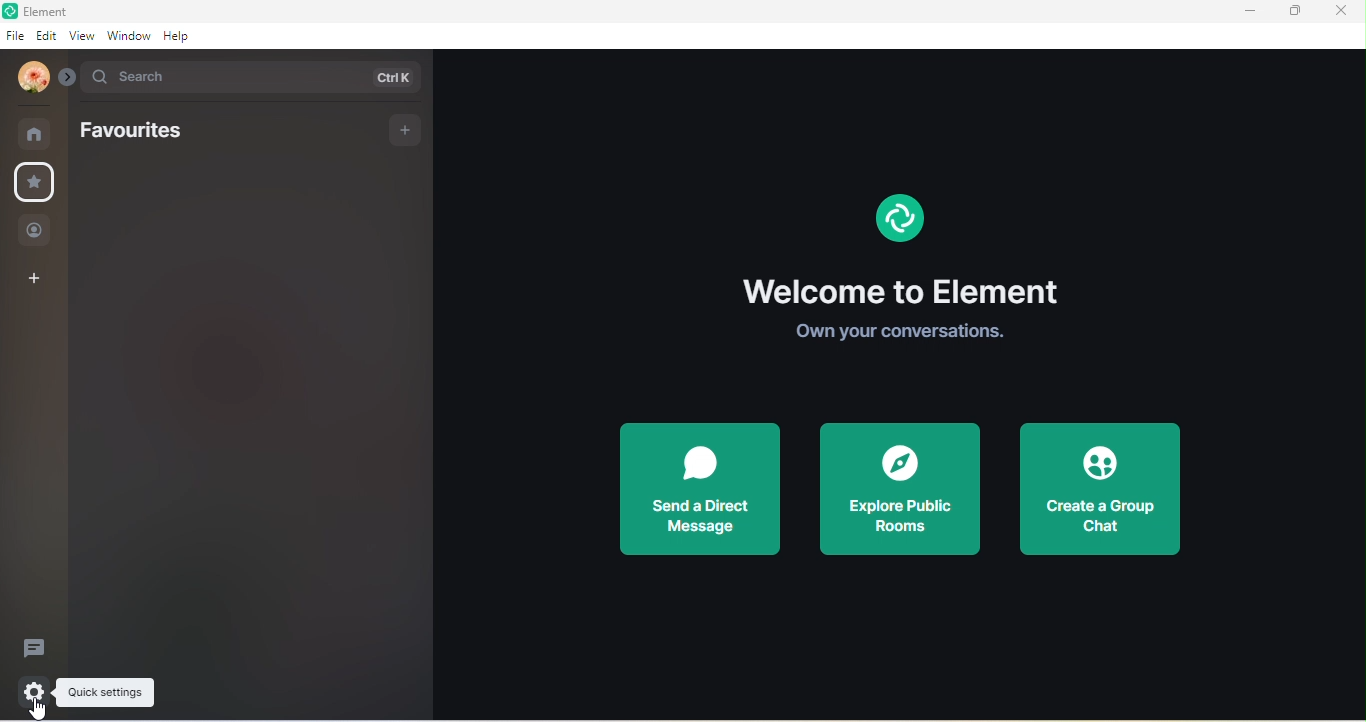  I want to click on minimize, so click(1245, 14).